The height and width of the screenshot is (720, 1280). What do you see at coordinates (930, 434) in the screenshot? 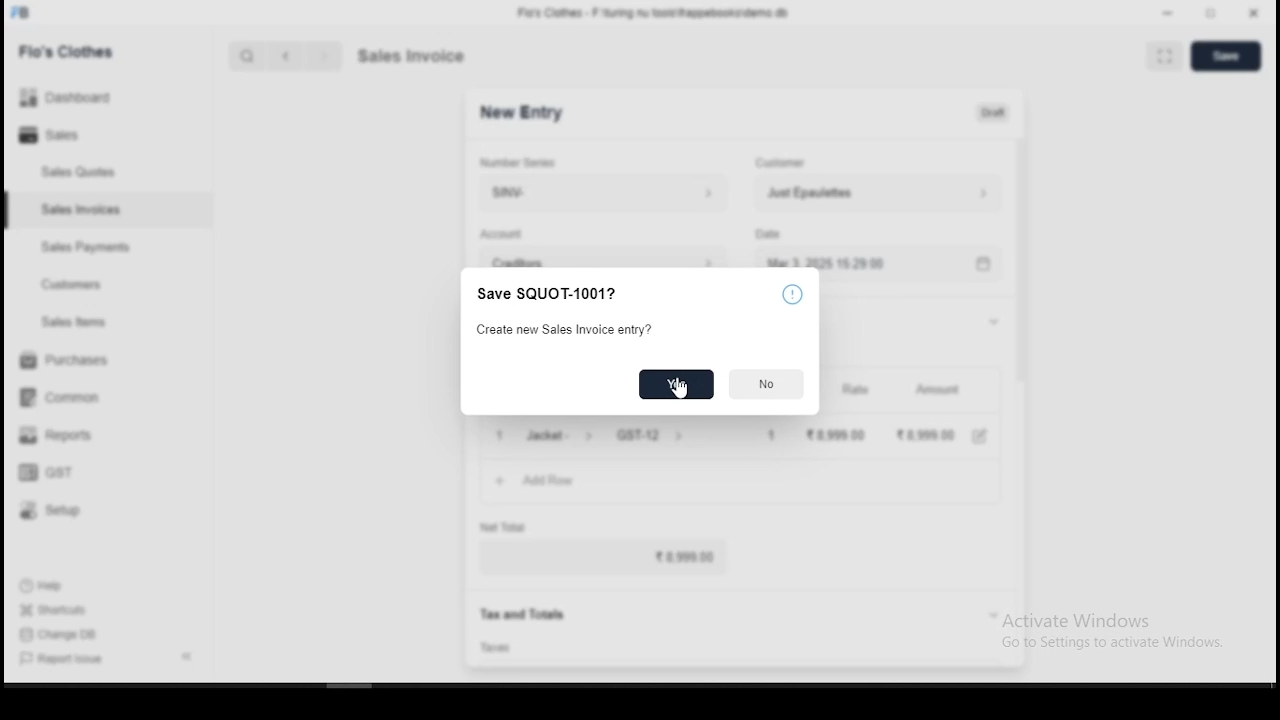
I see `28,999.00` at bounding box center [930, 434].